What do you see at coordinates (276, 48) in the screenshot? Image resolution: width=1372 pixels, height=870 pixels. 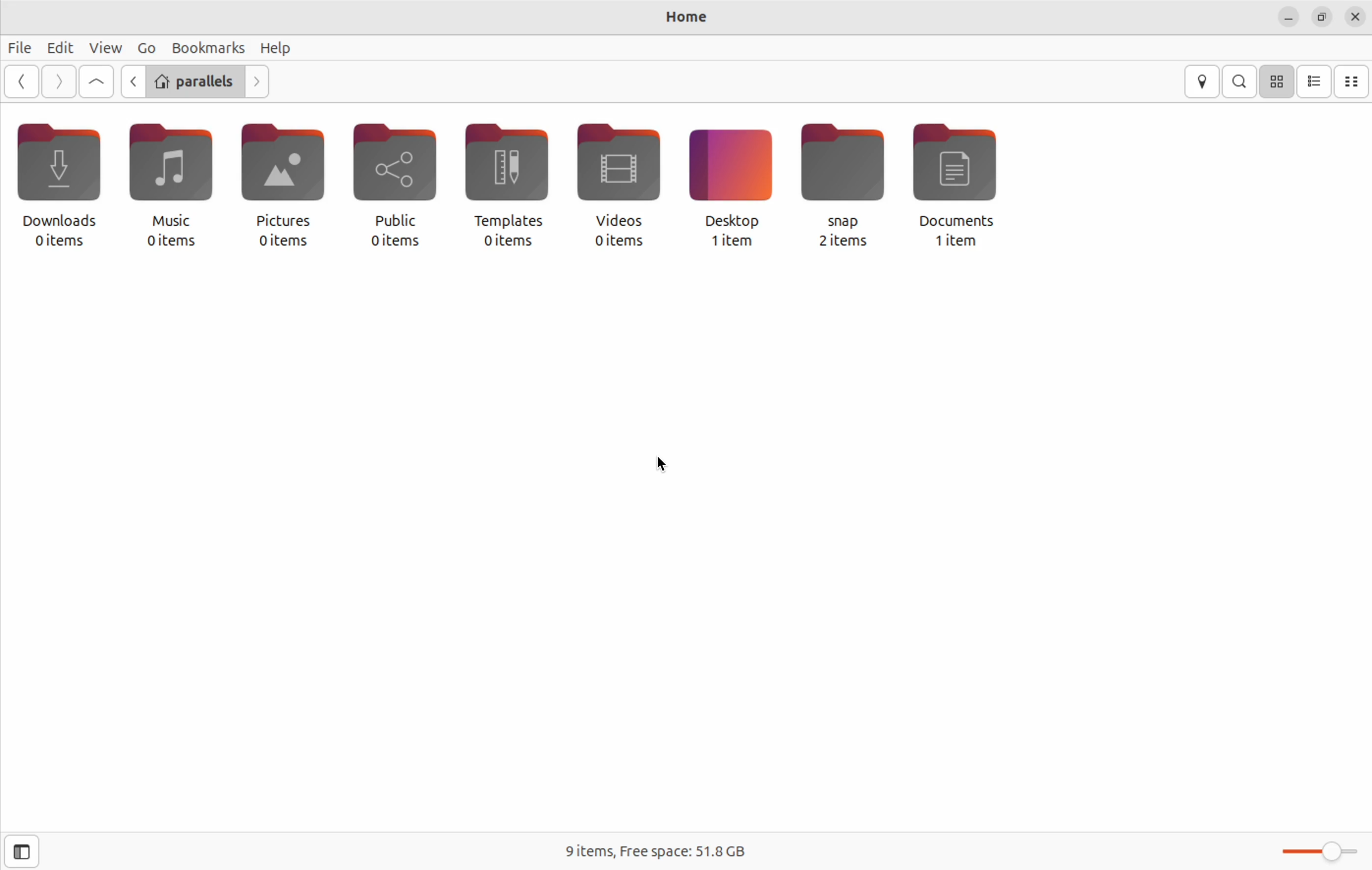 I see `help` at bounding box center [276, 48].